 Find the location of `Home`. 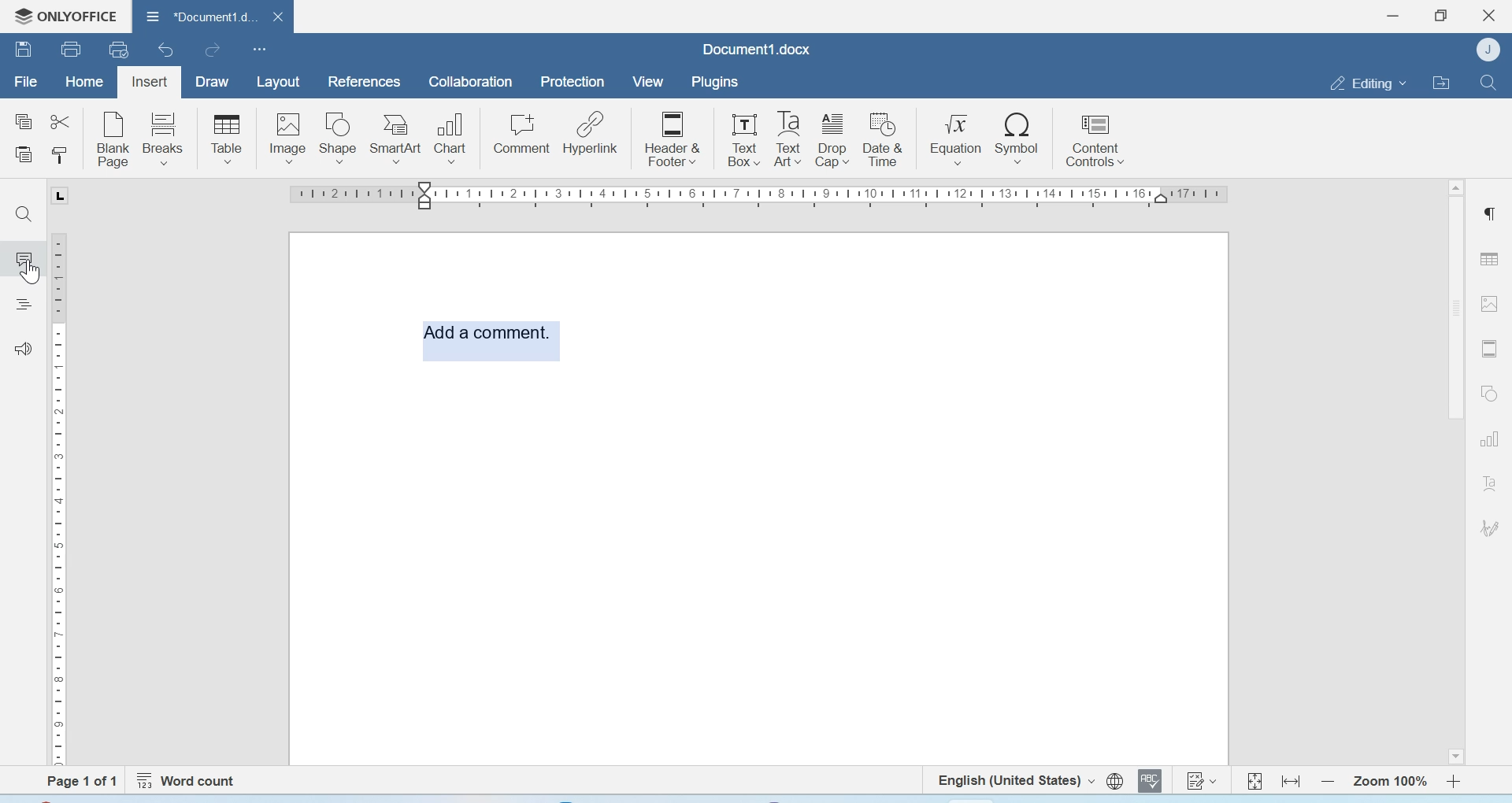

Home is located at coordinates (83, 80).